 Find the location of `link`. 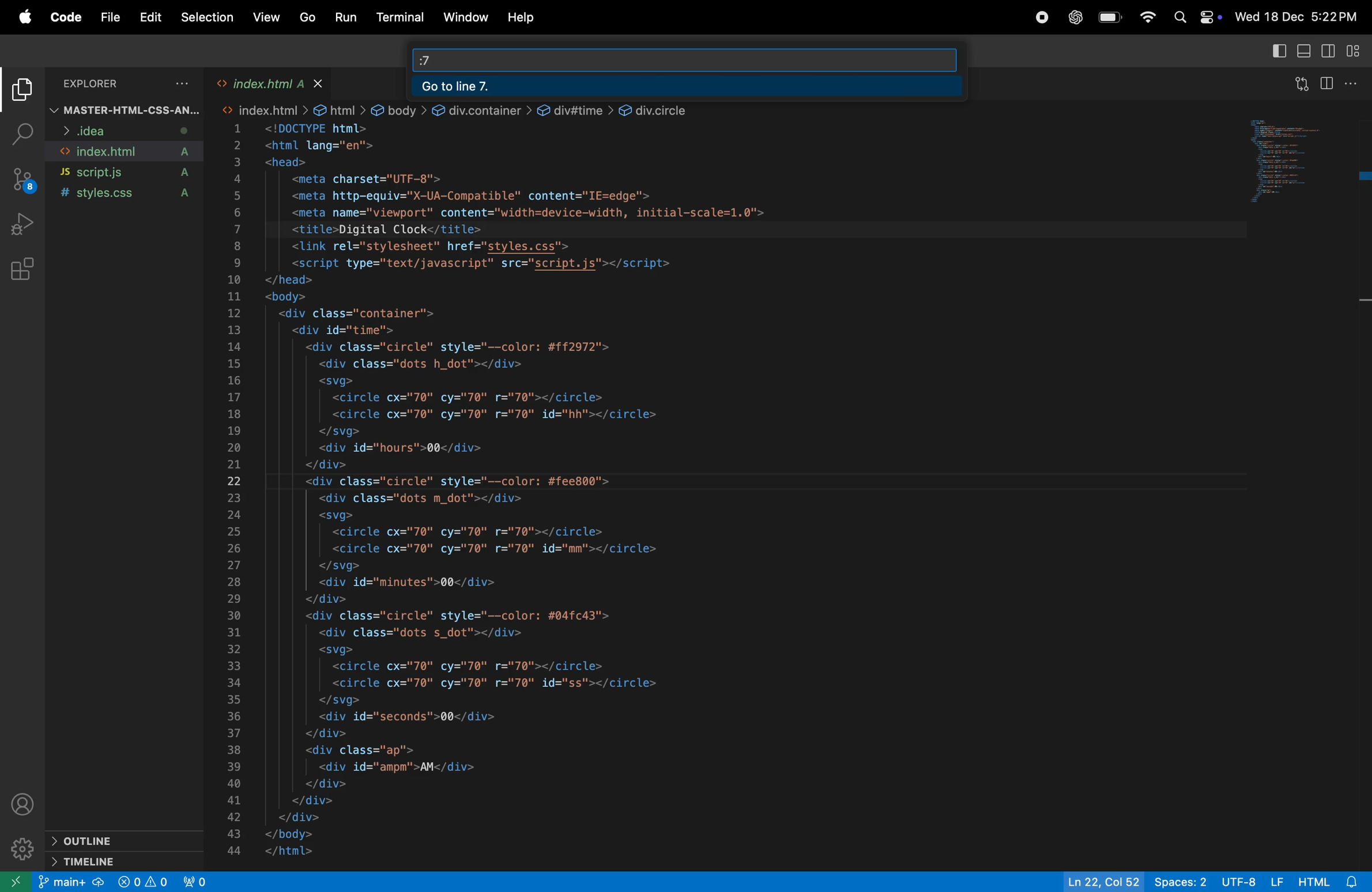

link is located at coordinates (483, 108).